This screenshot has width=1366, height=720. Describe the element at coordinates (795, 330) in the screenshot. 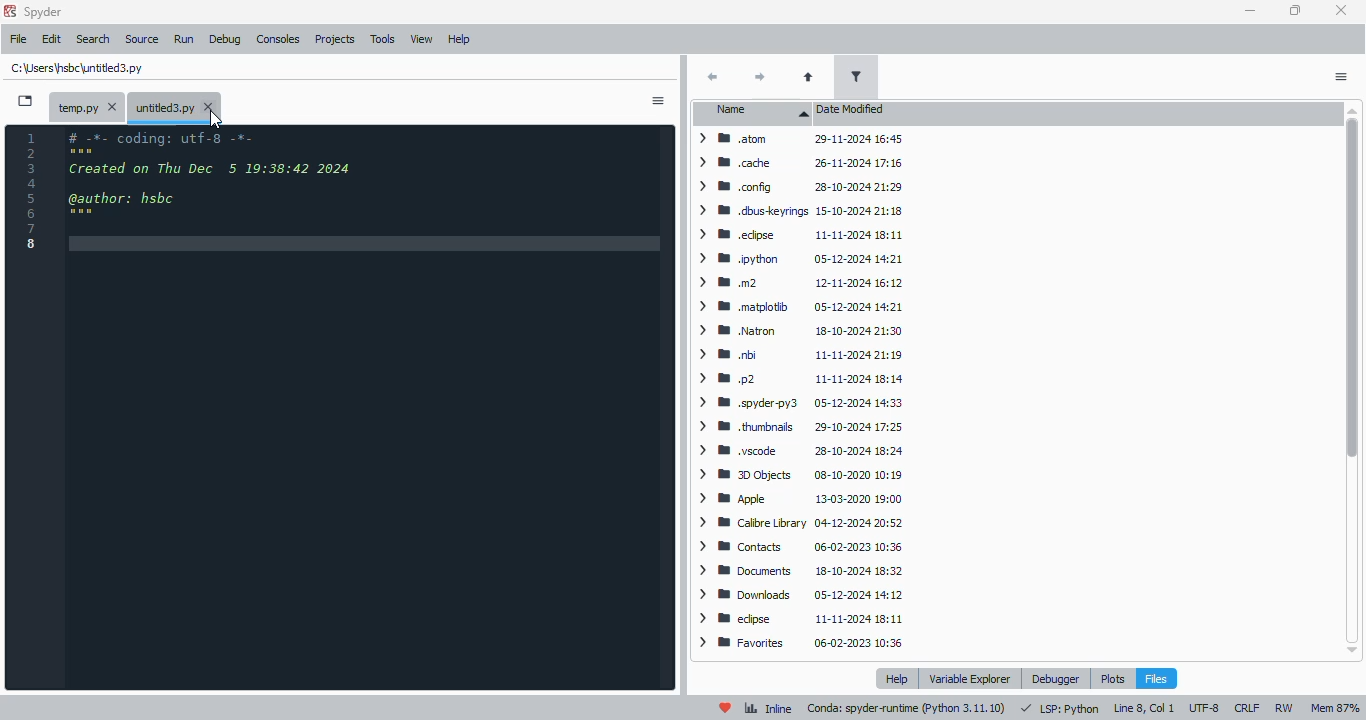

I see `> WM Natron 18-10-2024 21:30` at that location.